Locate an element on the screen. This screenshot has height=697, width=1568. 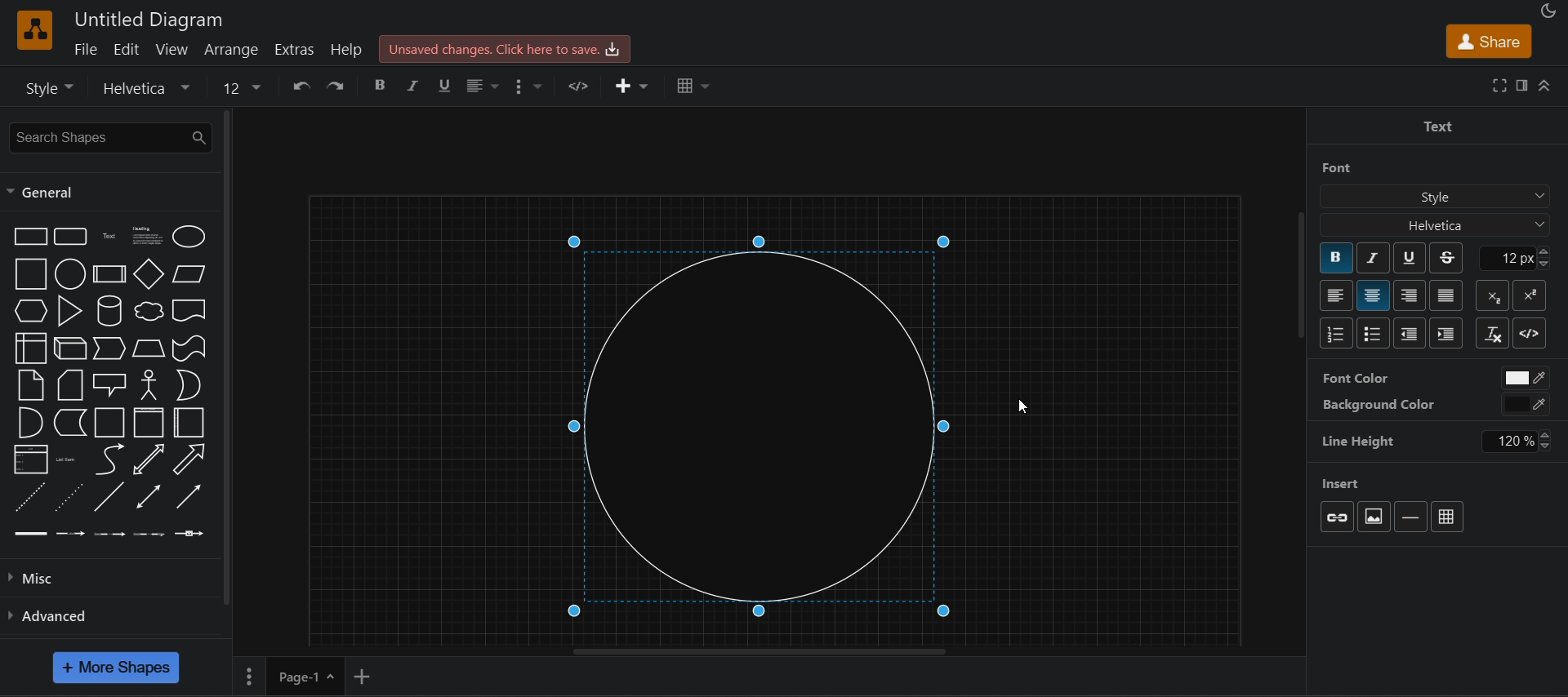
image is located at coordinates (1374, 517).